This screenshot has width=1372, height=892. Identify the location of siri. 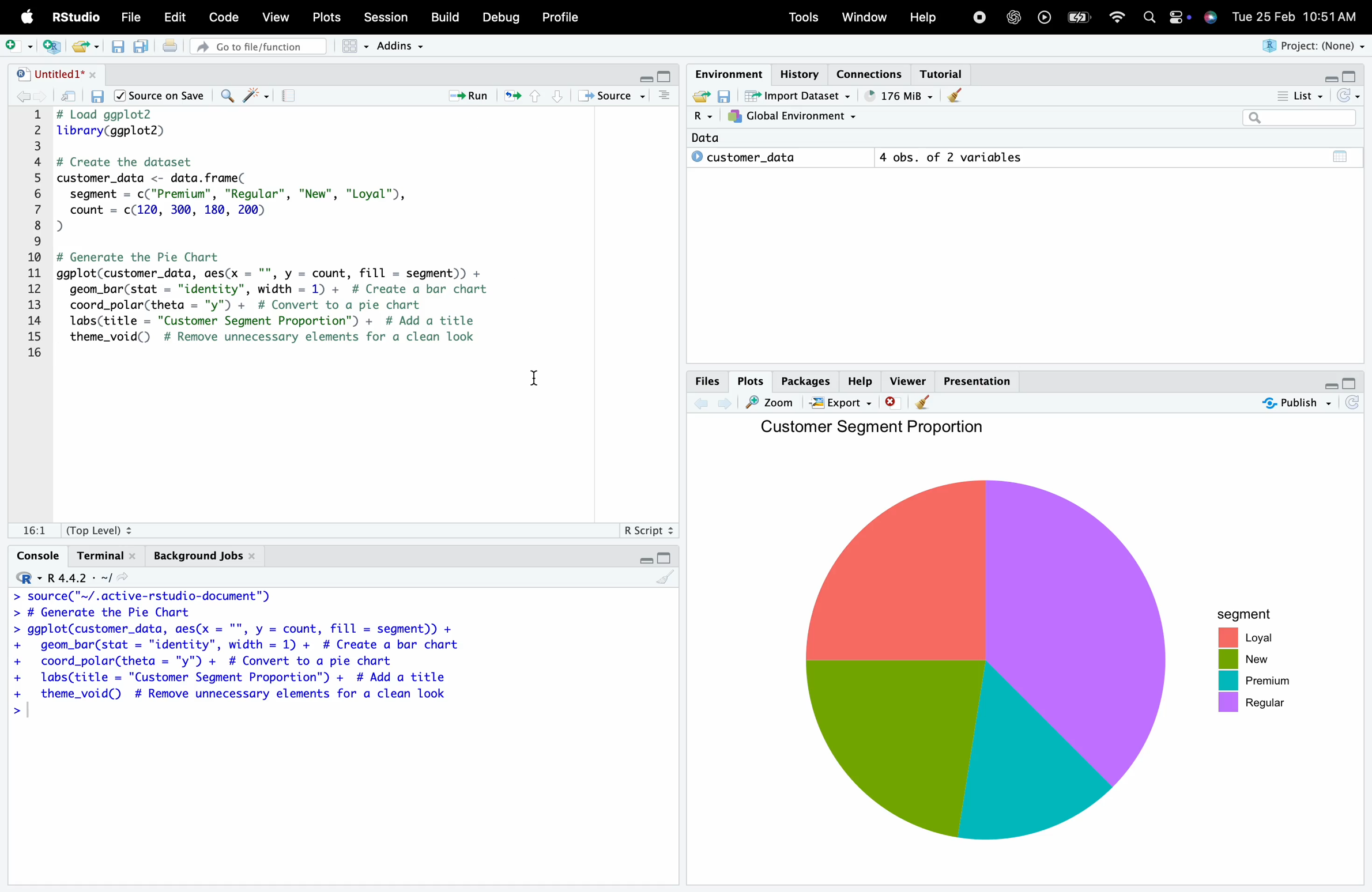
(1212, 21).